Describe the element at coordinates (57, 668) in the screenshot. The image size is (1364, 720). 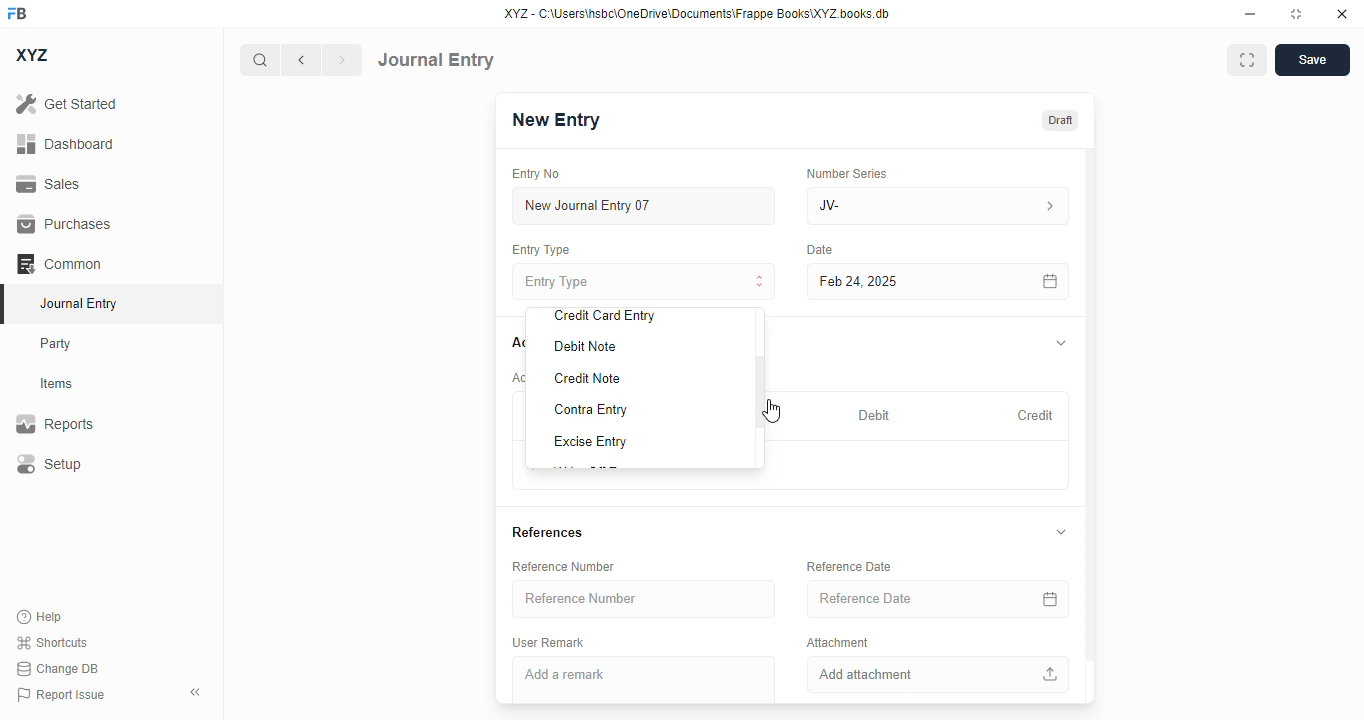
I see `change DB` at that location.